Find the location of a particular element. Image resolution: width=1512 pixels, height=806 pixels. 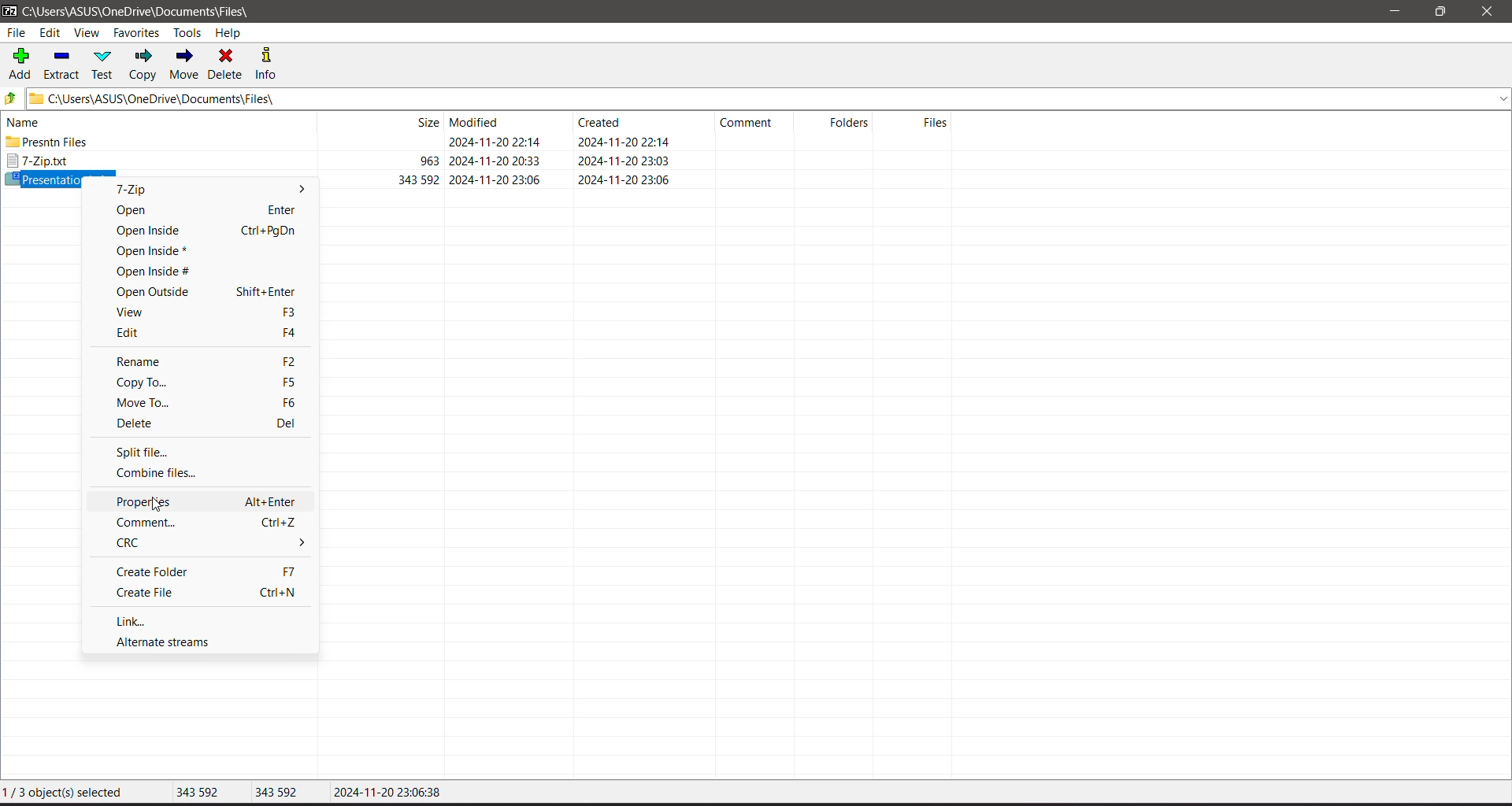

Info is located at coordinates (272, 63).